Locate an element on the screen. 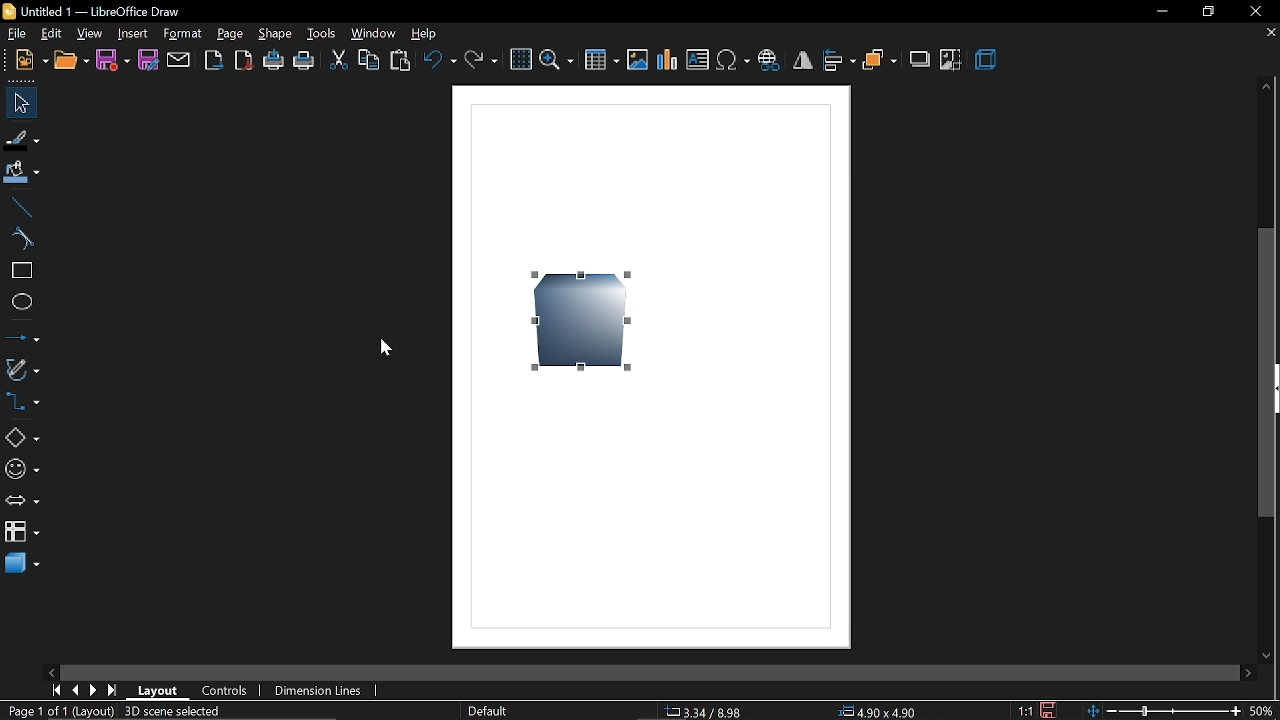 The width and height of the screenshot is (1280, 720). dimension lines is located at coordinates (319, 691).